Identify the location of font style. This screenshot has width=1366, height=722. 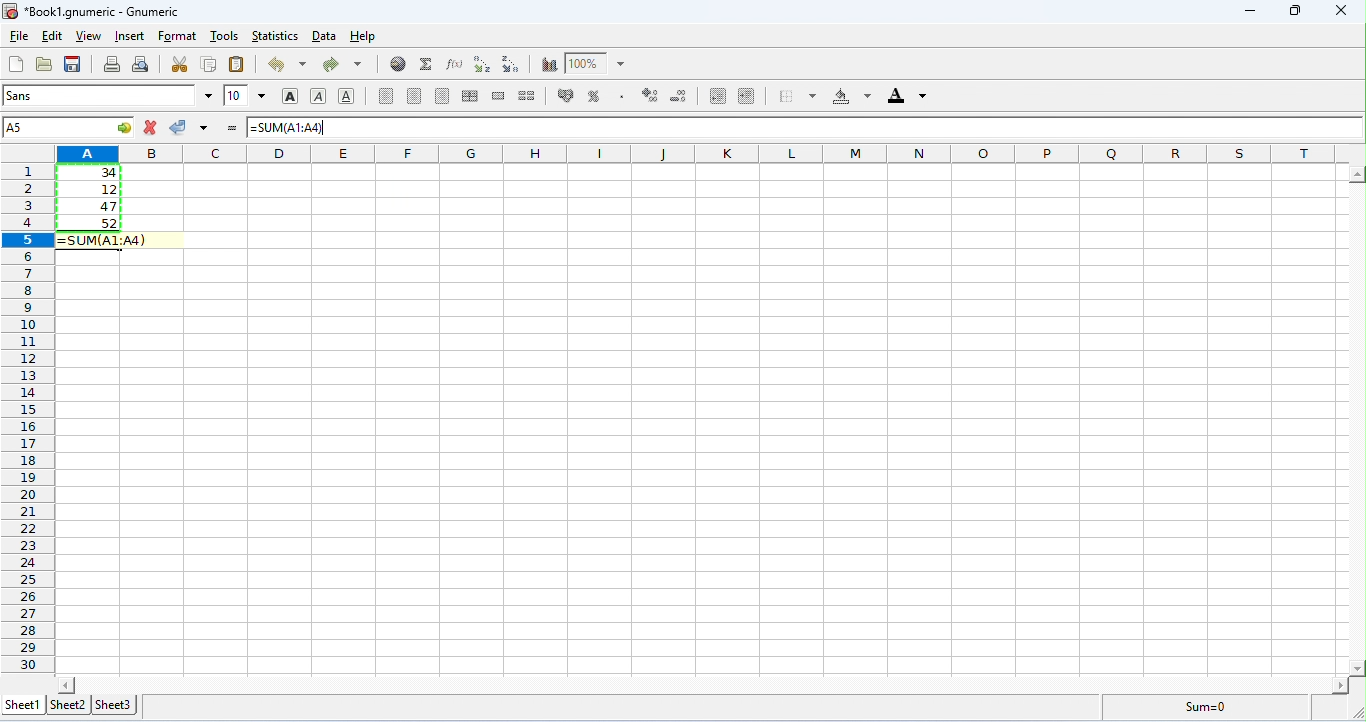
(108, 95).